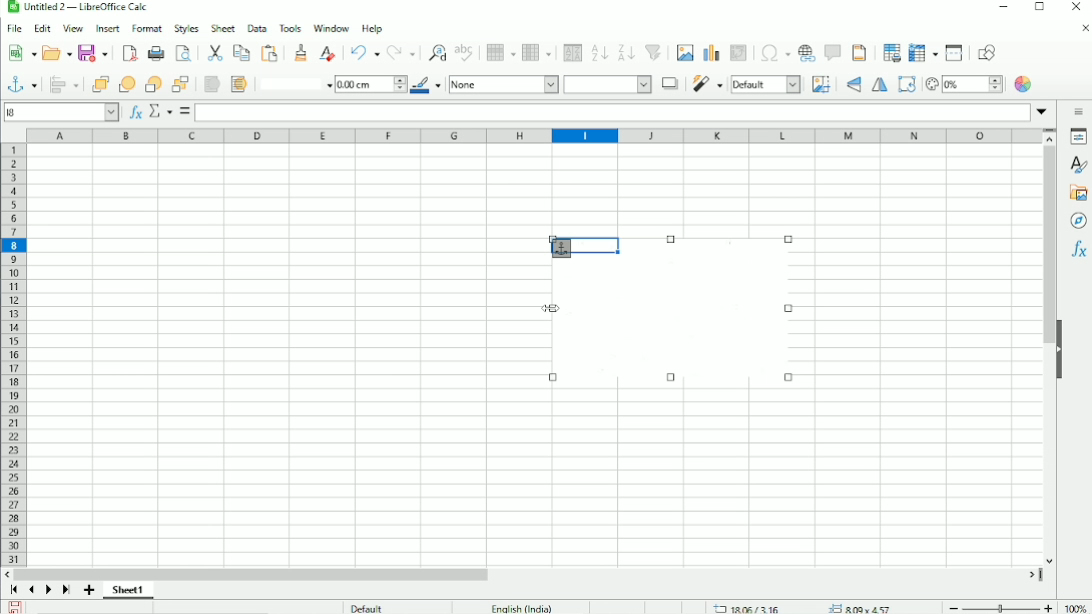 This screenshot has width=1092, height=614. I want to click on Undo, so click(364, 53).